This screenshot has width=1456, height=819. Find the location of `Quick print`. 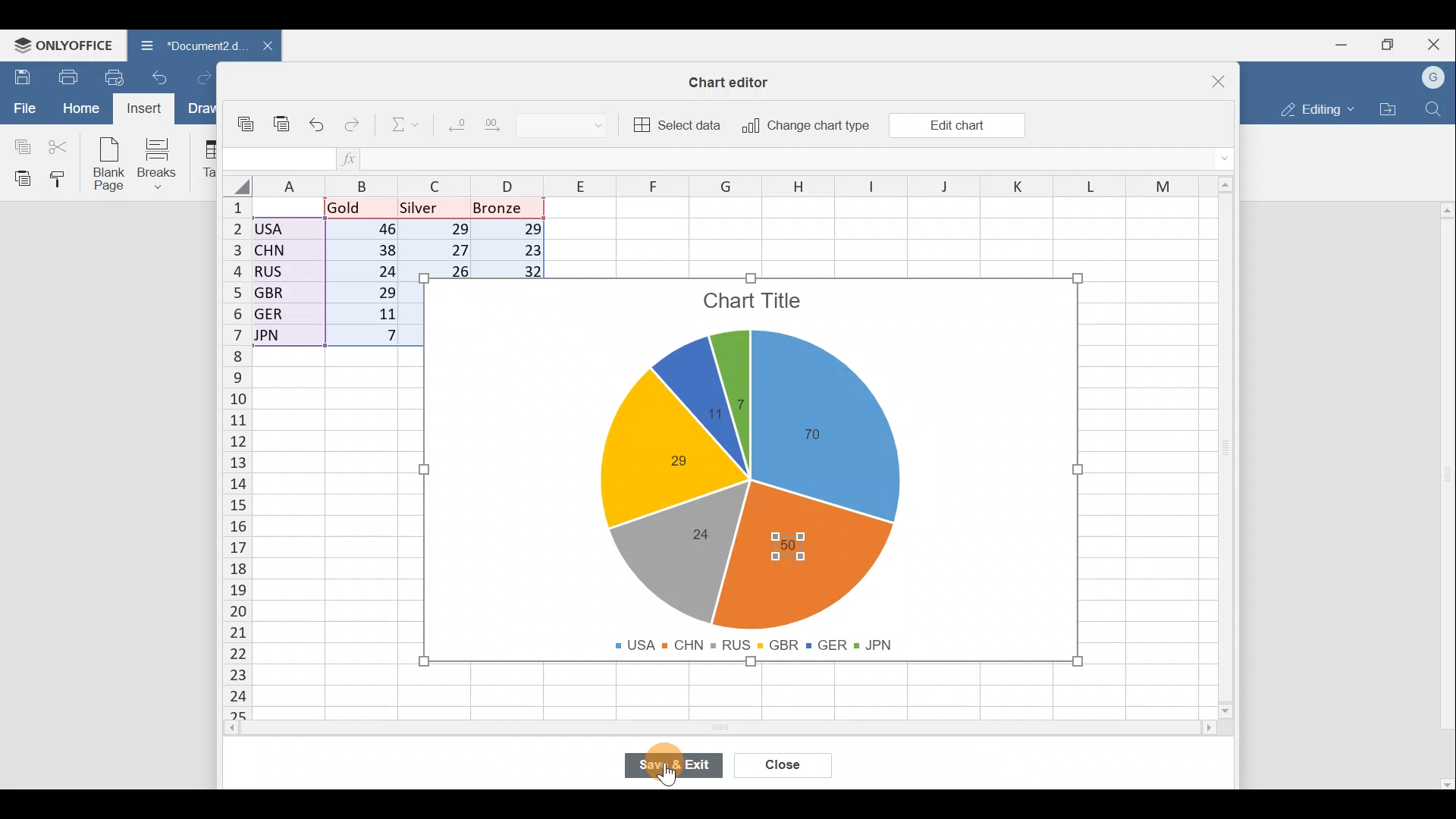

Quick print is located at coordinates (119, 74).